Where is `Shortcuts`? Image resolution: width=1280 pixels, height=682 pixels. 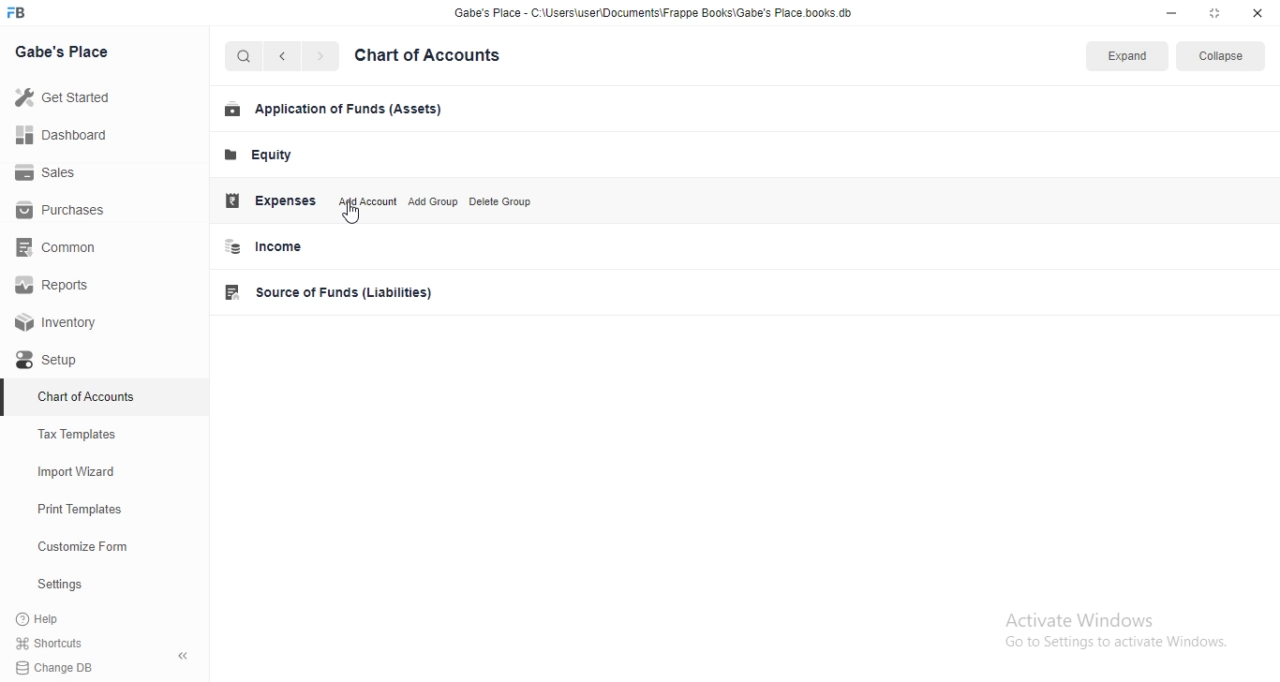 Shortcuts is located at coordinates (107, 645).